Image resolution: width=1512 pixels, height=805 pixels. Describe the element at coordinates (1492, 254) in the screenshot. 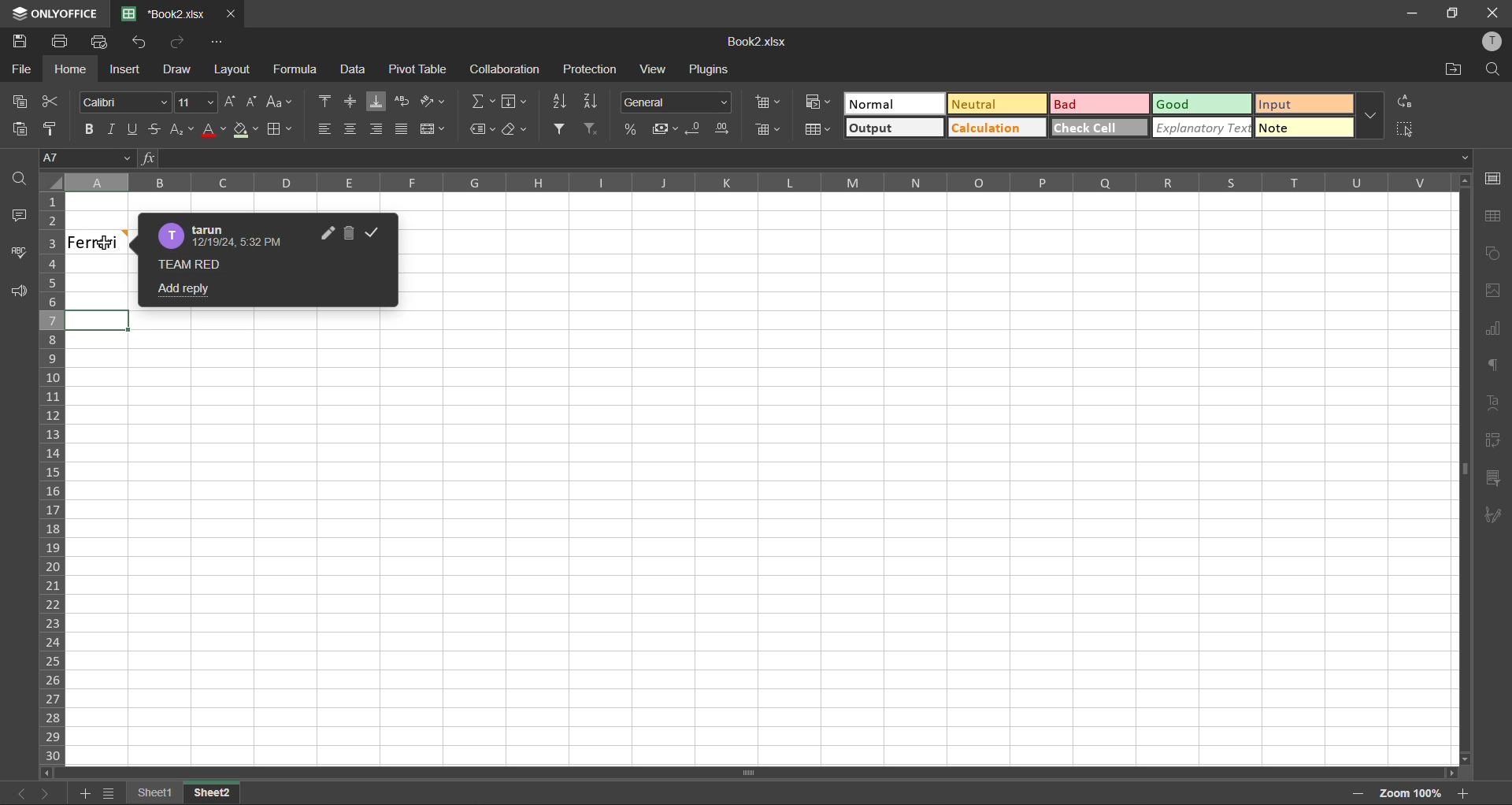

I see `shapes` at that location.